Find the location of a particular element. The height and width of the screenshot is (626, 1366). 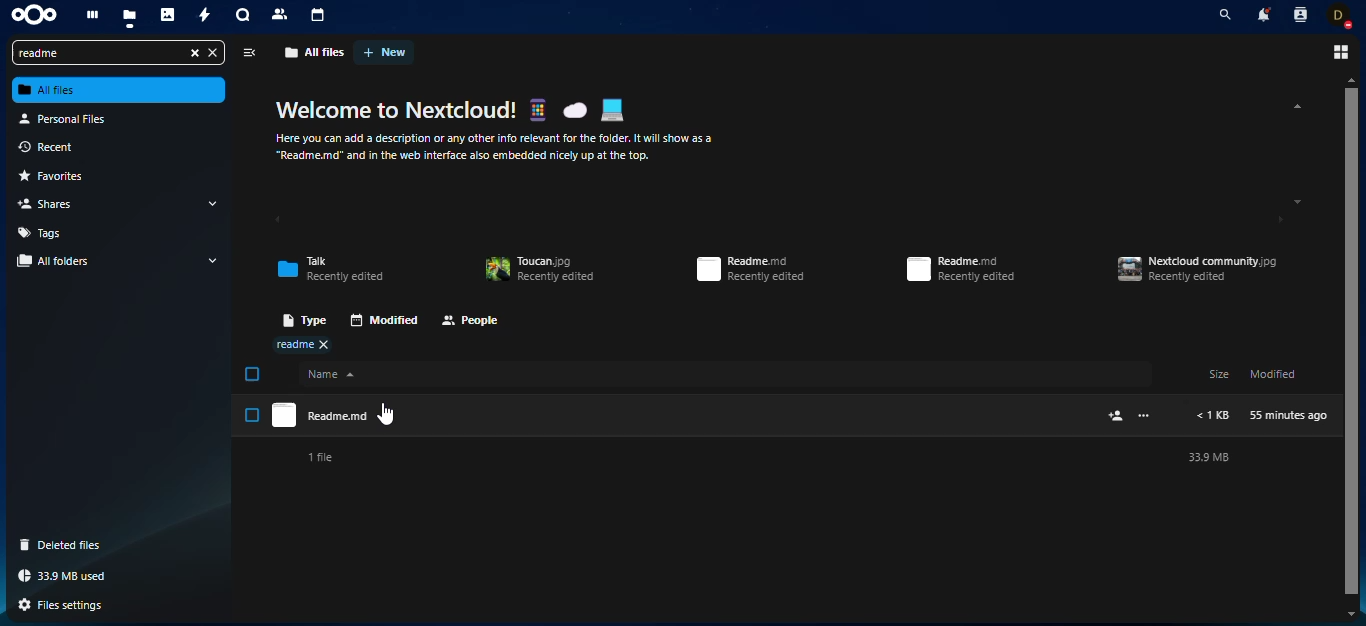

all files is located at coordinates (315, 52).